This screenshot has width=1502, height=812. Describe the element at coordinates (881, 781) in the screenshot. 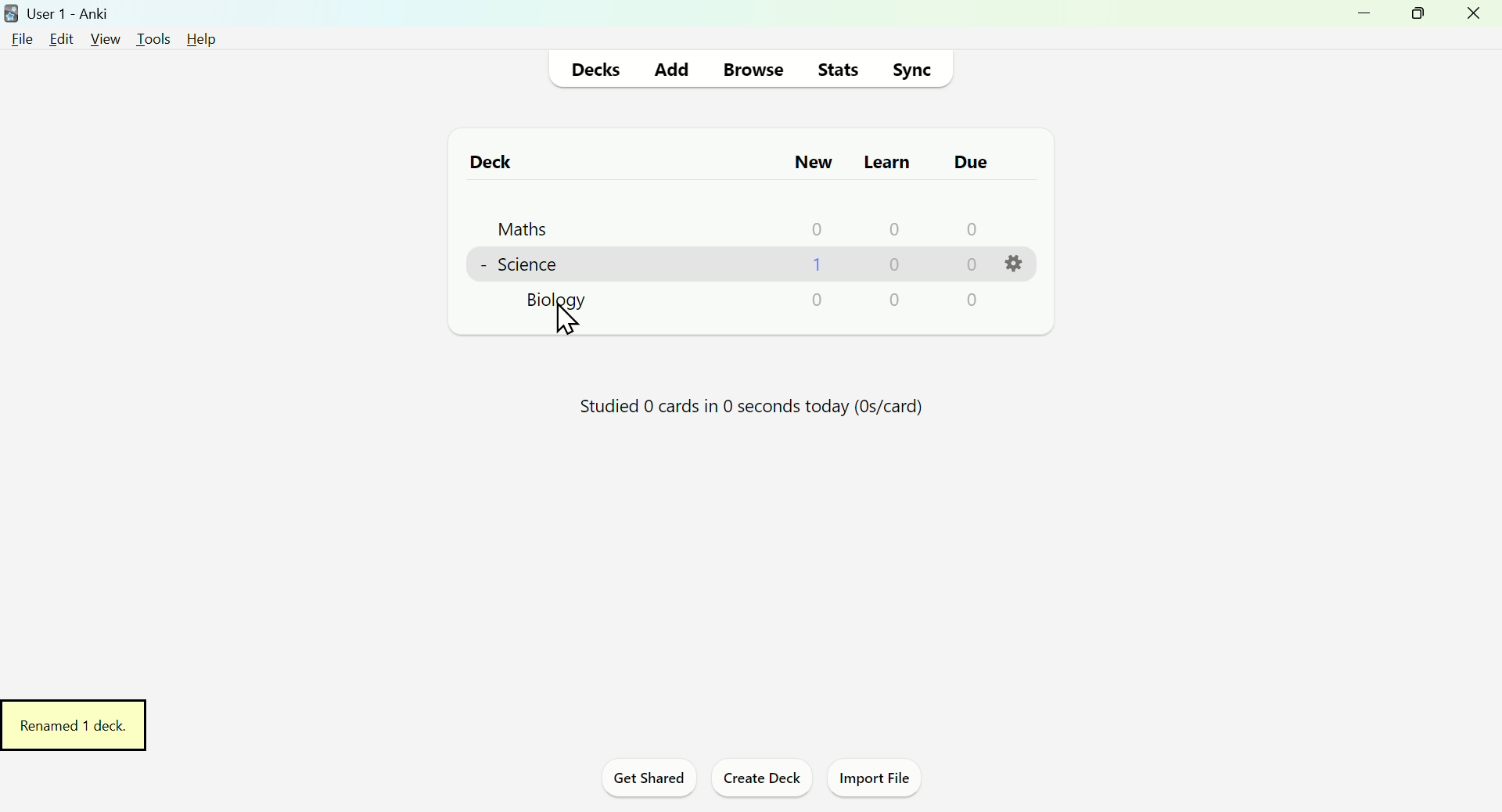

I see `Import File` at that location.